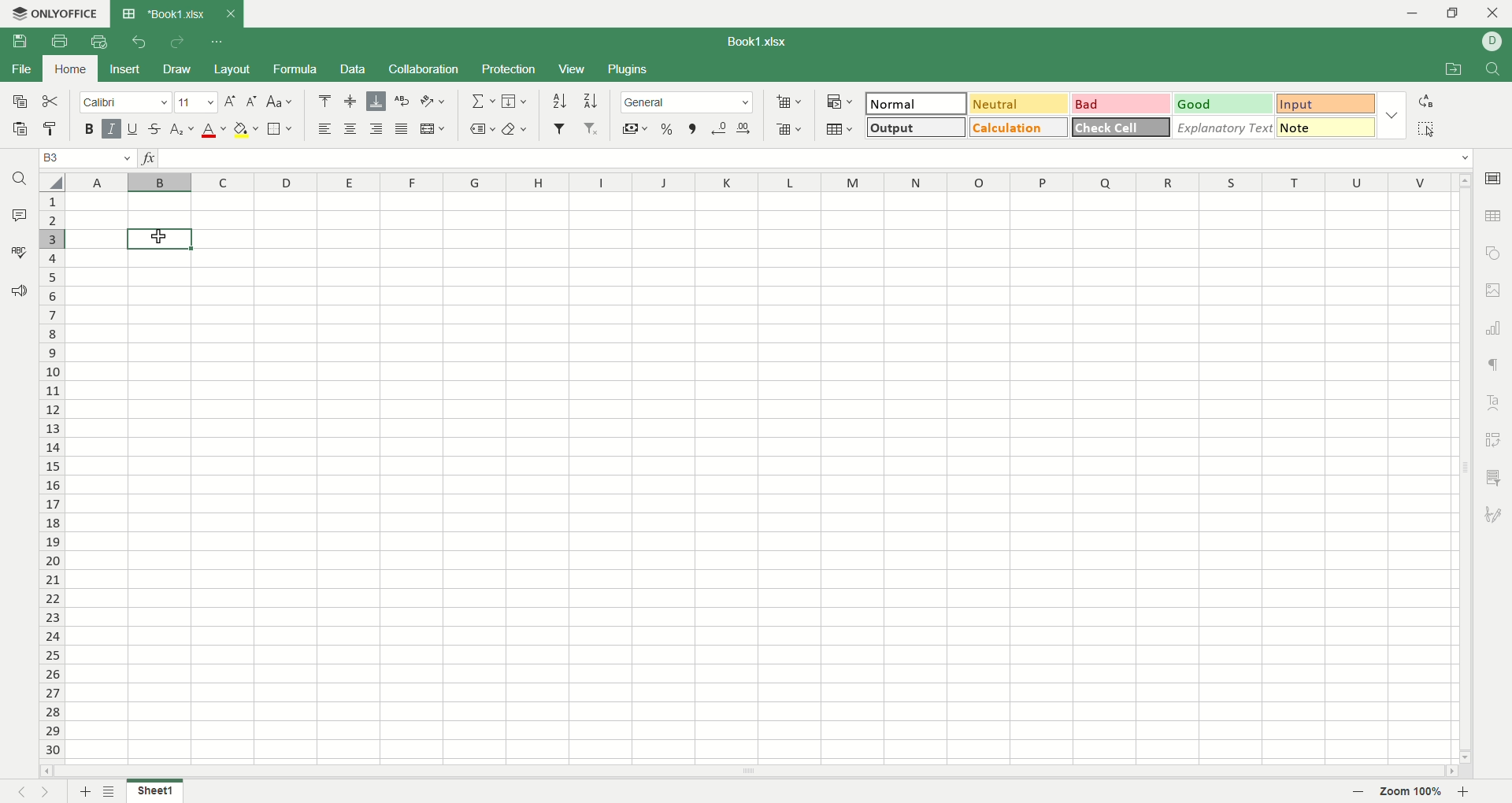 The height and width of the screenshot is (803, 1512). I want to click on calculation, so click(1020, 127).